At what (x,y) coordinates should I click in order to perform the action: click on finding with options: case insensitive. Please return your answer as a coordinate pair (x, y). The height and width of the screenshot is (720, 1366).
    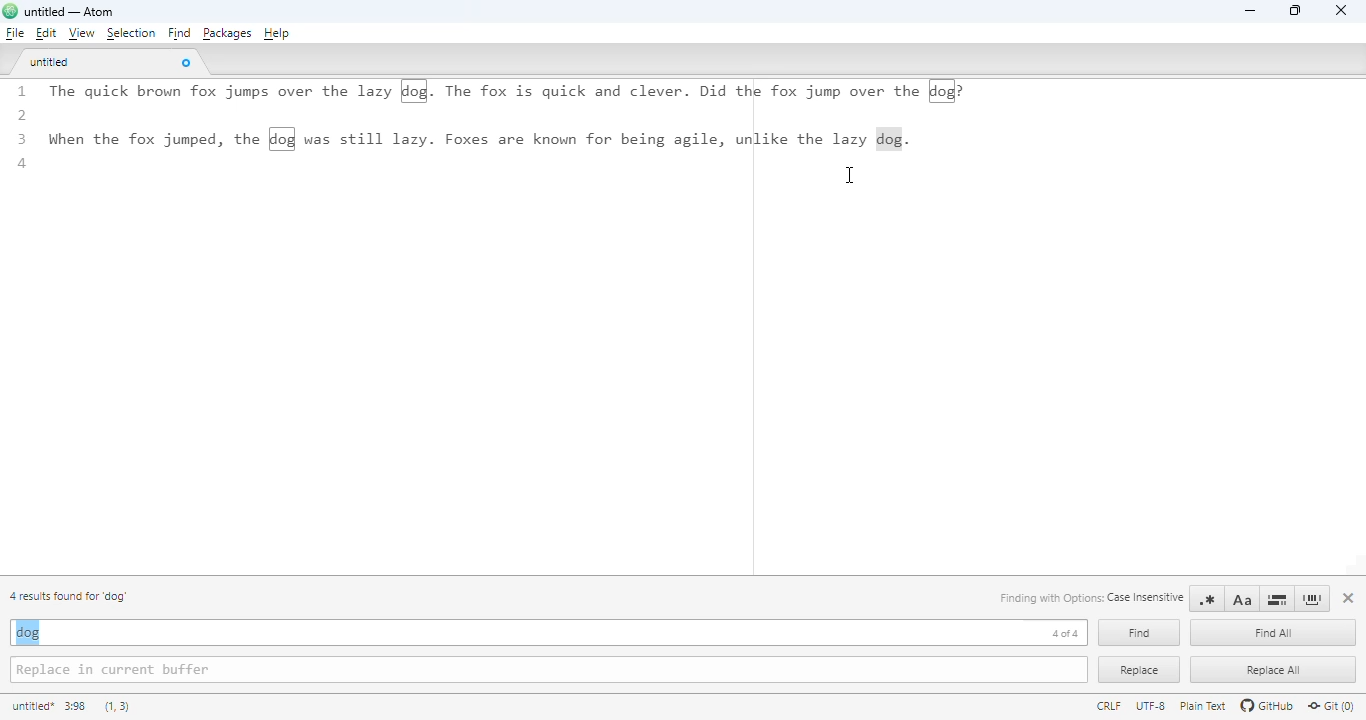
    Looking at the image, I should click on (1089, 598).